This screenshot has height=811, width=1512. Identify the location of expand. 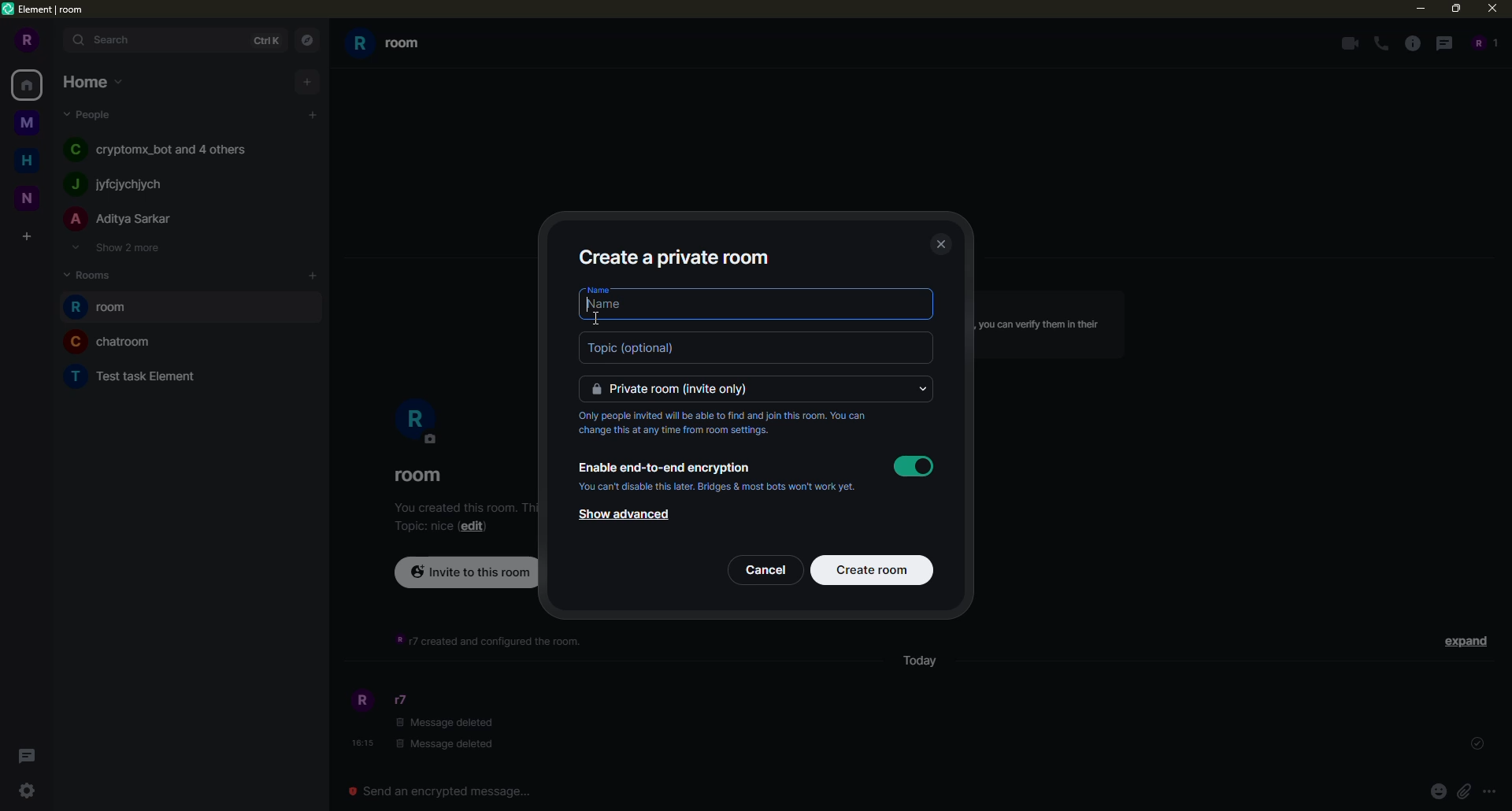
(1463, 641).